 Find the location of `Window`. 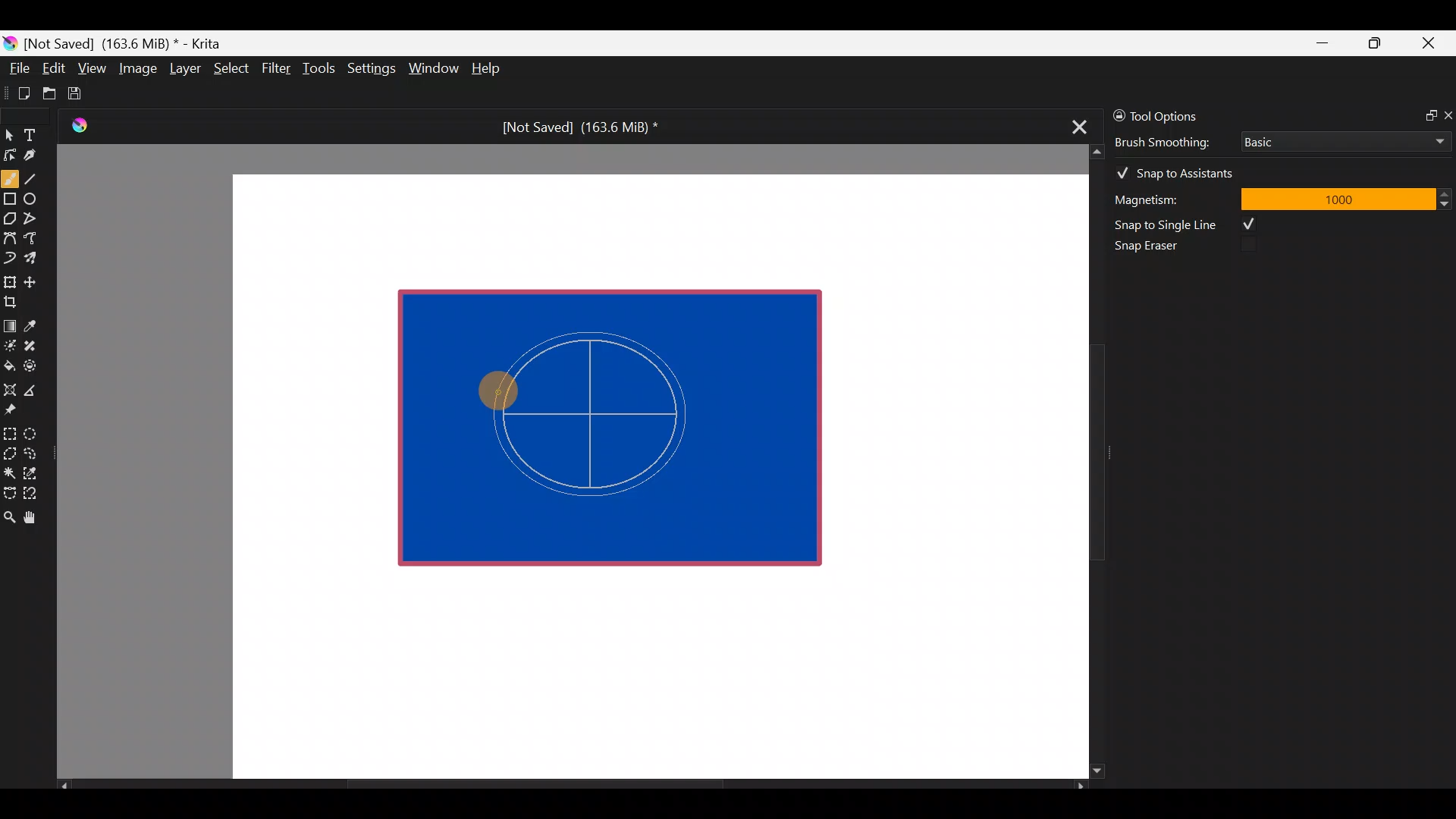

Window is located at coordinates (433, 70).